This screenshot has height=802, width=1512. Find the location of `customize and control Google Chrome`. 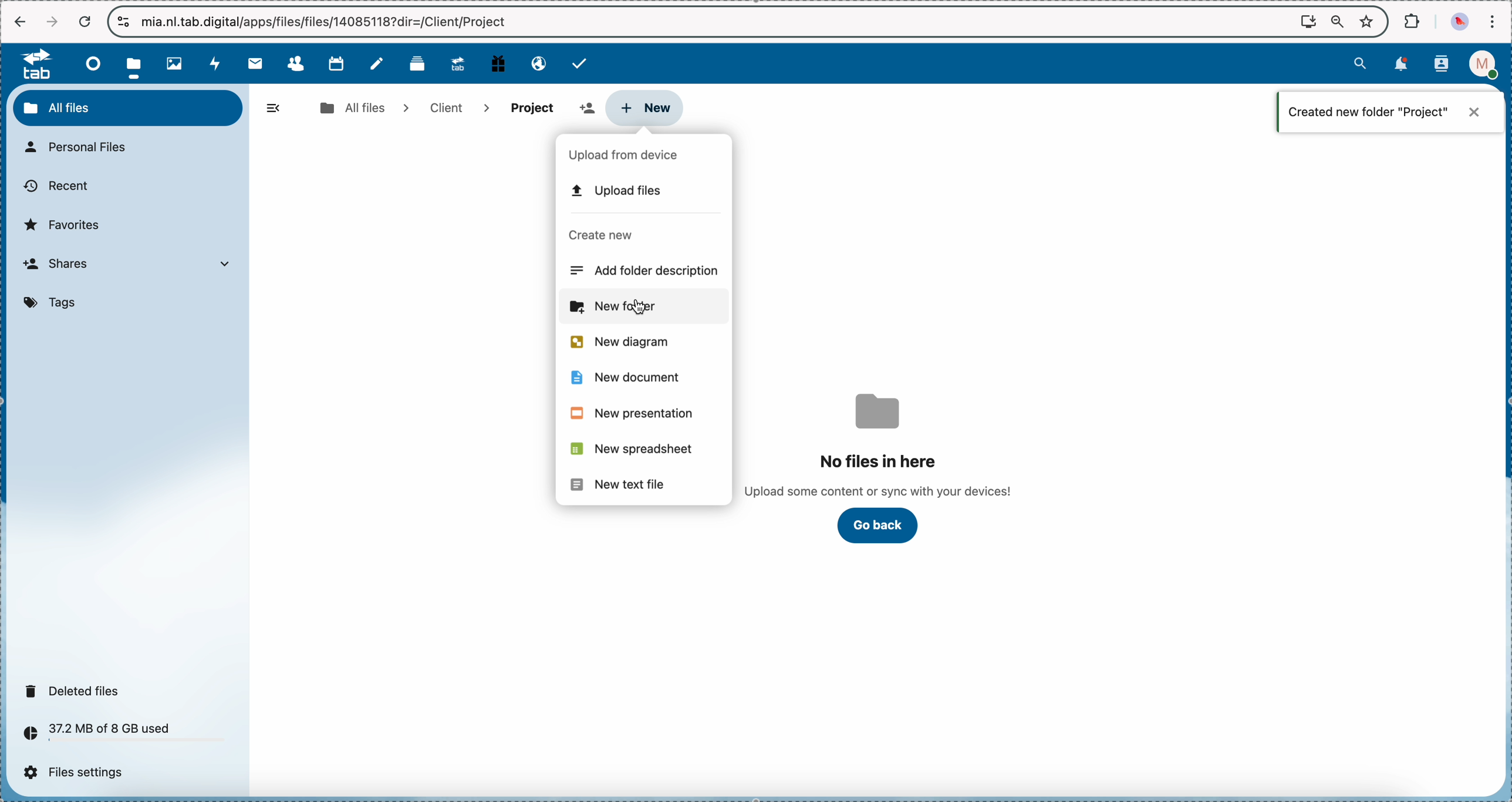

customize and control Google Chrome is located at coordinates (1491, 21).